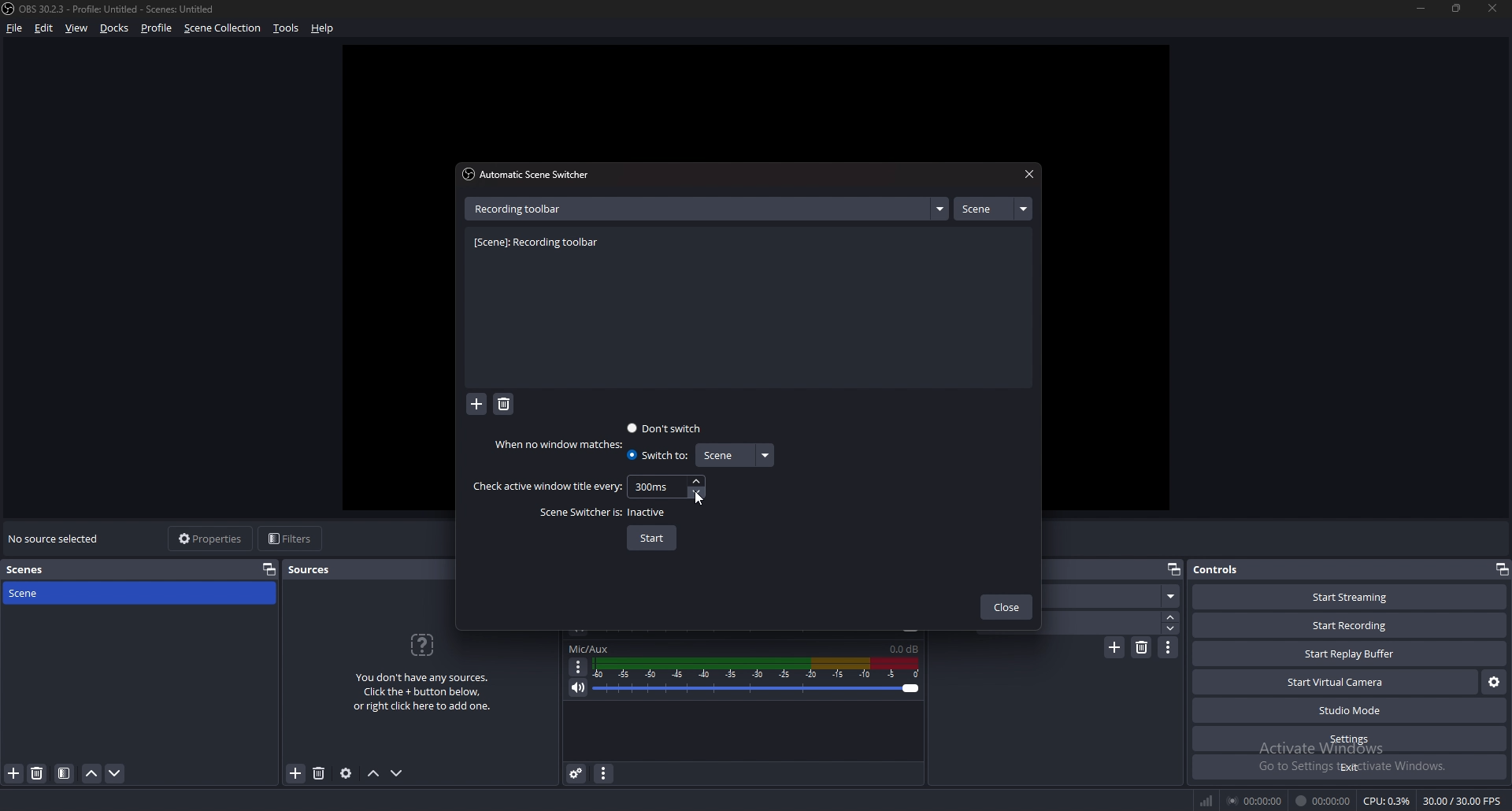  I want to click on volume adjust, so click(756, 678).